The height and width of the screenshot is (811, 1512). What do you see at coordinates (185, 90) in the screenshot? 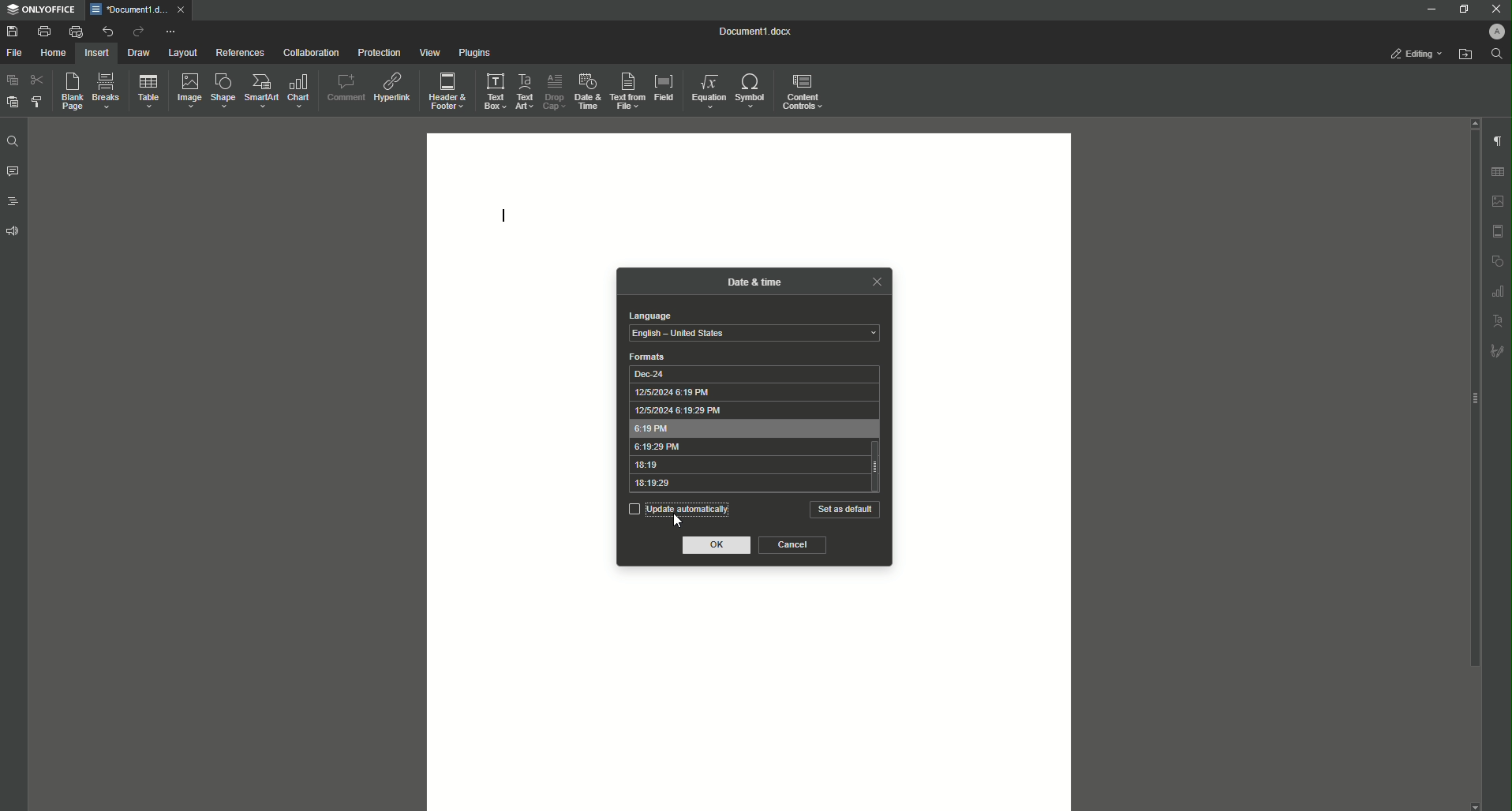
I see `Image` at bounding box center [185, 90].